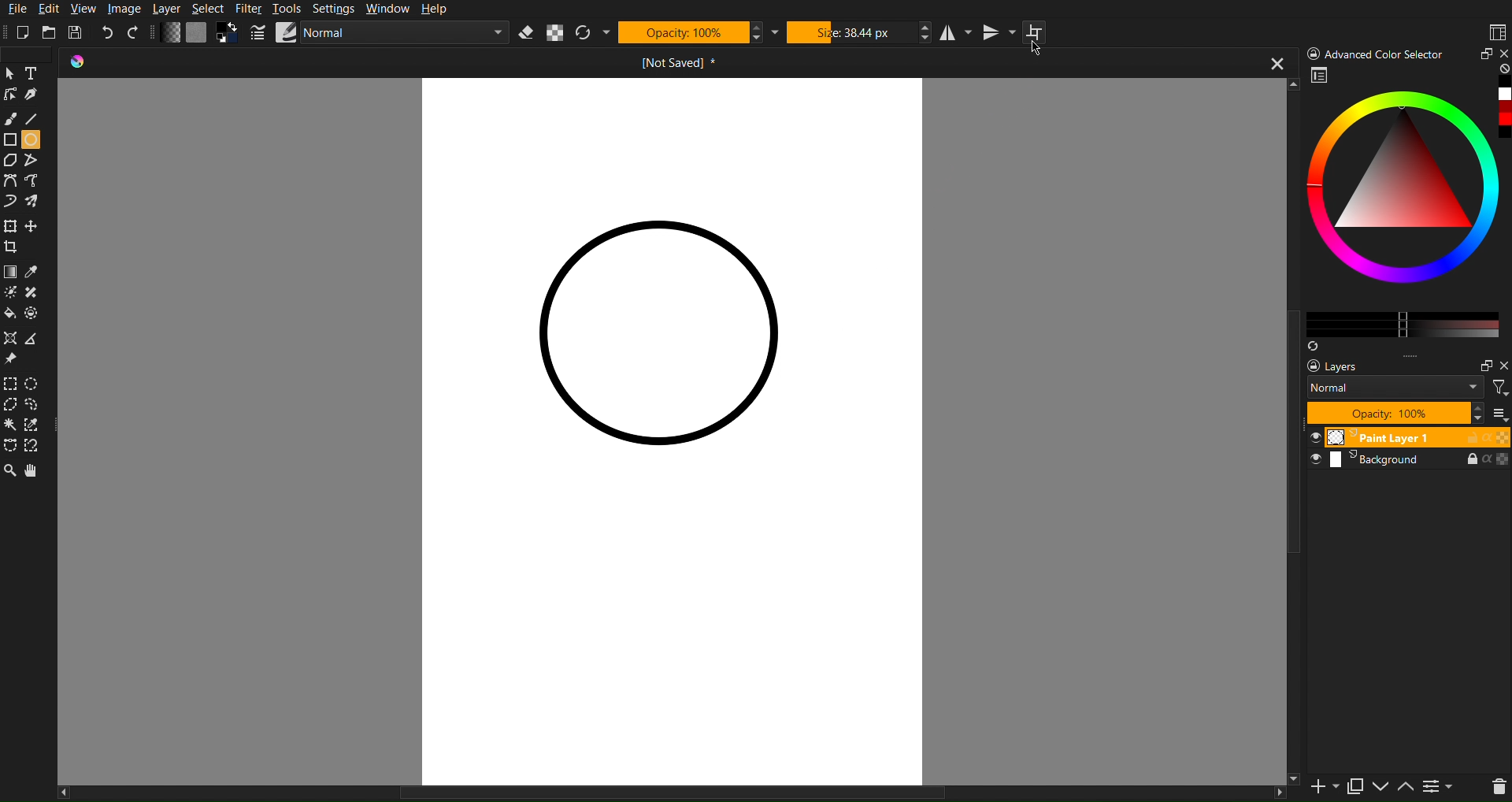 Image resolution: width=1512 pixels, height=802 pixels. I want to click on File, so click(16, 9).